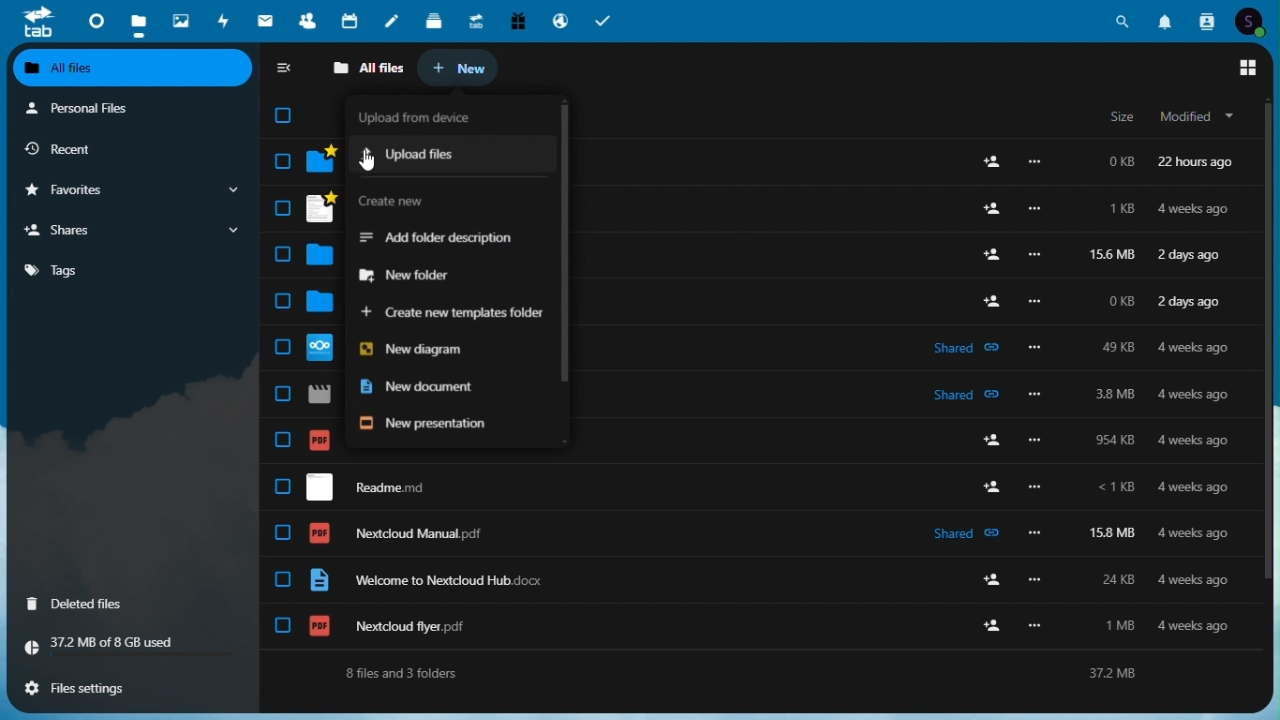 The image size is (1280, 720). Describe the element at coordinates (440, 277) in the screenshot. I see `new folder` at that location.